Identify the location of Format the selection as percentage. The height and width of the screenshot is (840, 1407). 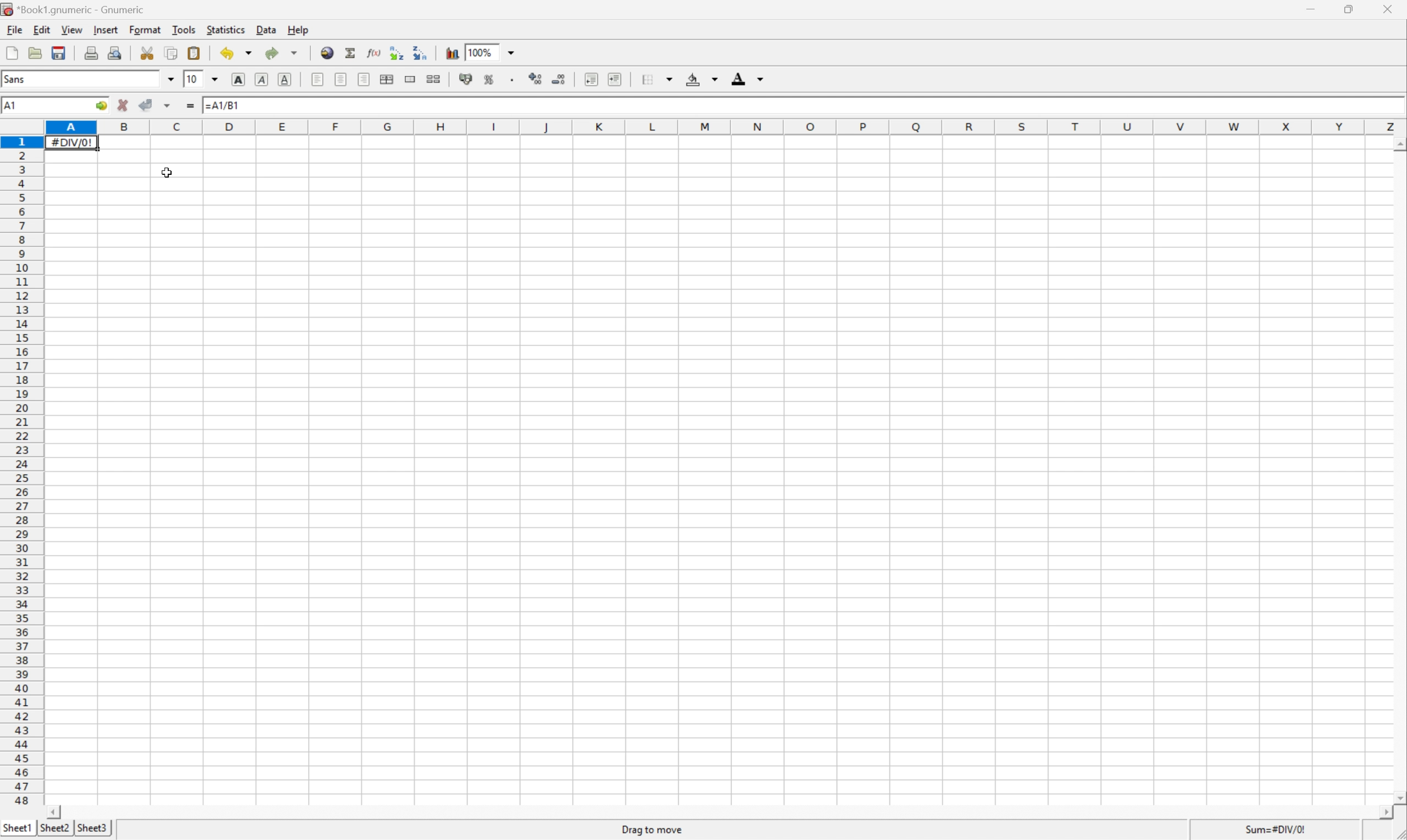
(490, 79).